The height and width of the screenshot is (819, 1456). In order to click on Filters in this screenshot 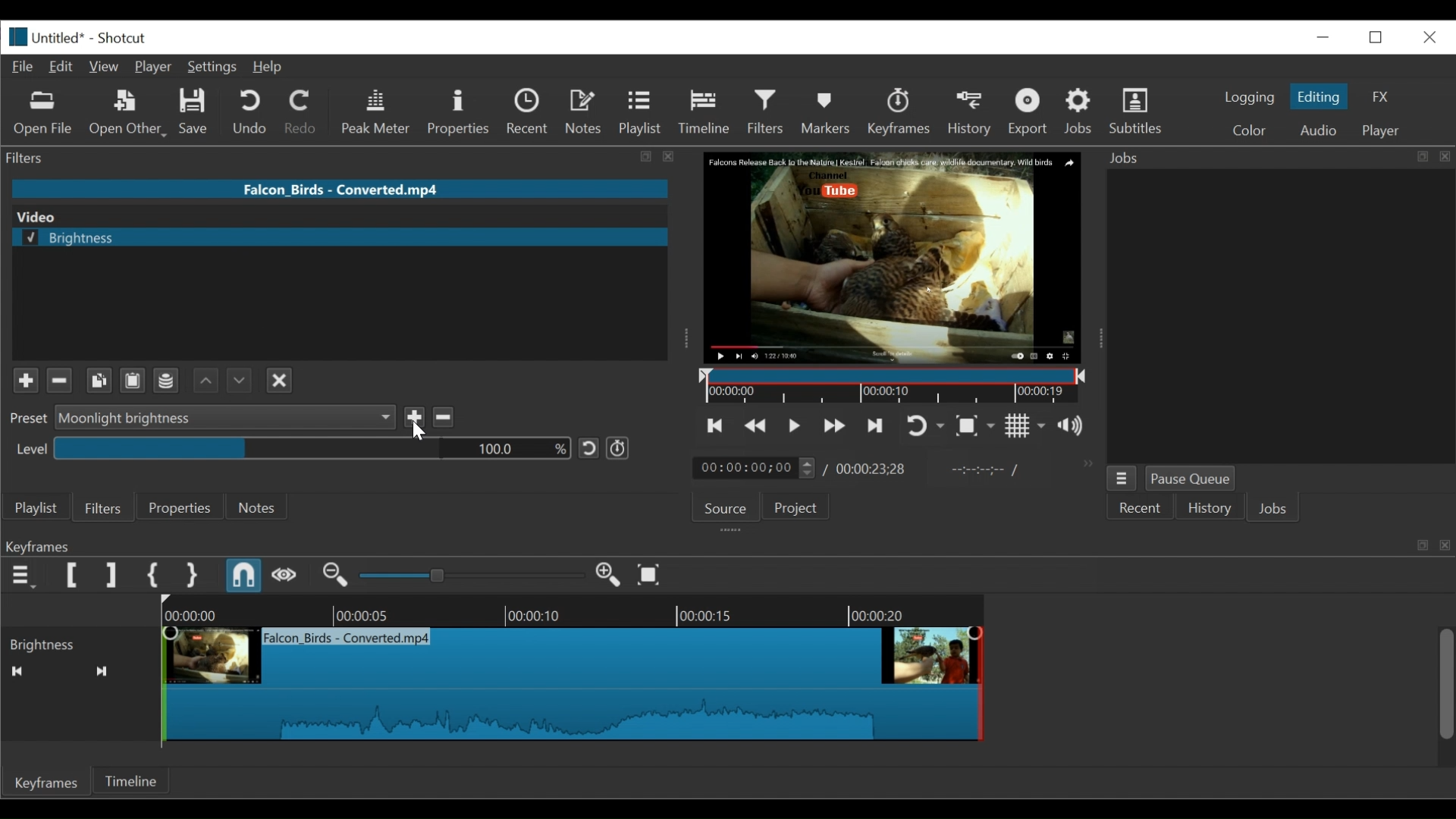, I will do `click(105, 507)`.